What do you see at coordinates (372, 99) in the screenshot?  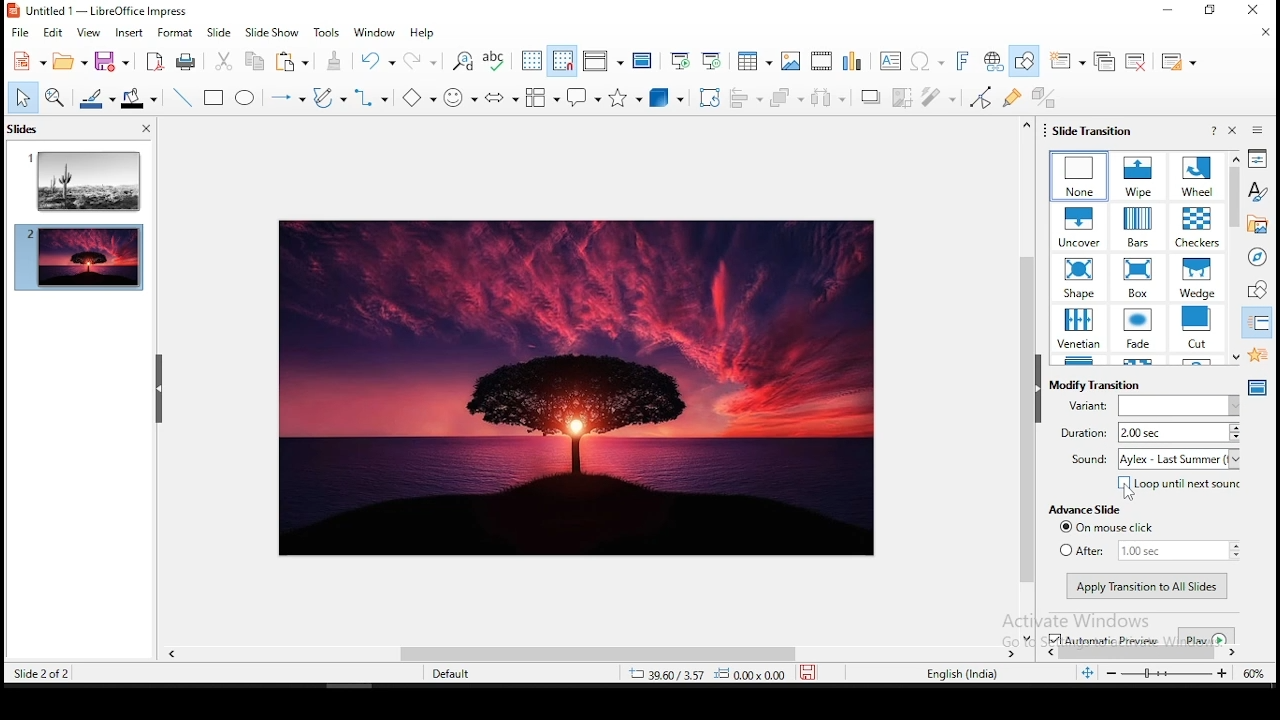 I see `connectors` at bounding box center [372, 99].